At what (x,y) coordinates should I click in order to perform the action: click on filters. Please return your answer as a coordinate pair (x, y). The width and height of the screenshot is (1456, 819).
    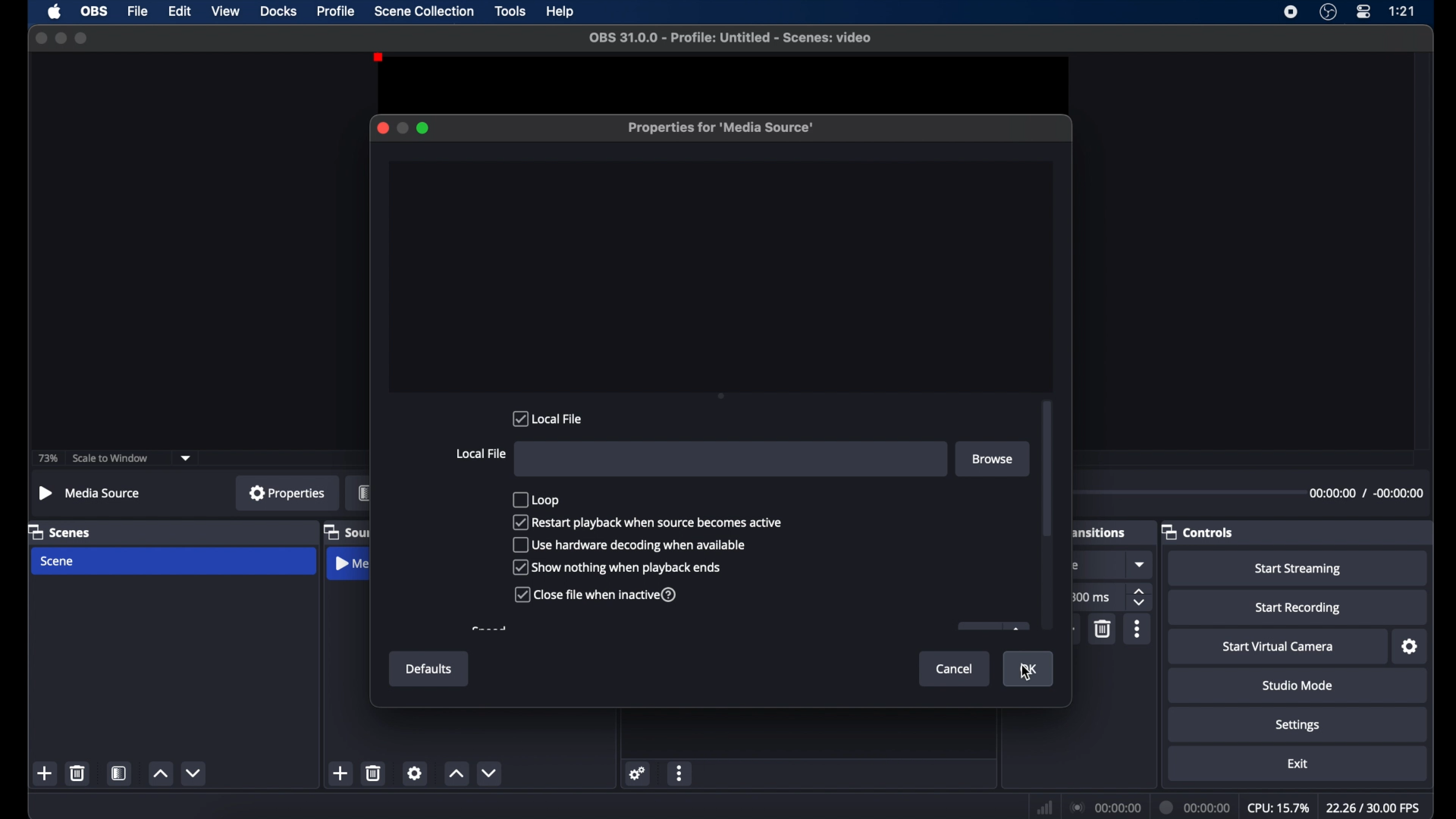
    Looking at the image, I should click on (364, 492).